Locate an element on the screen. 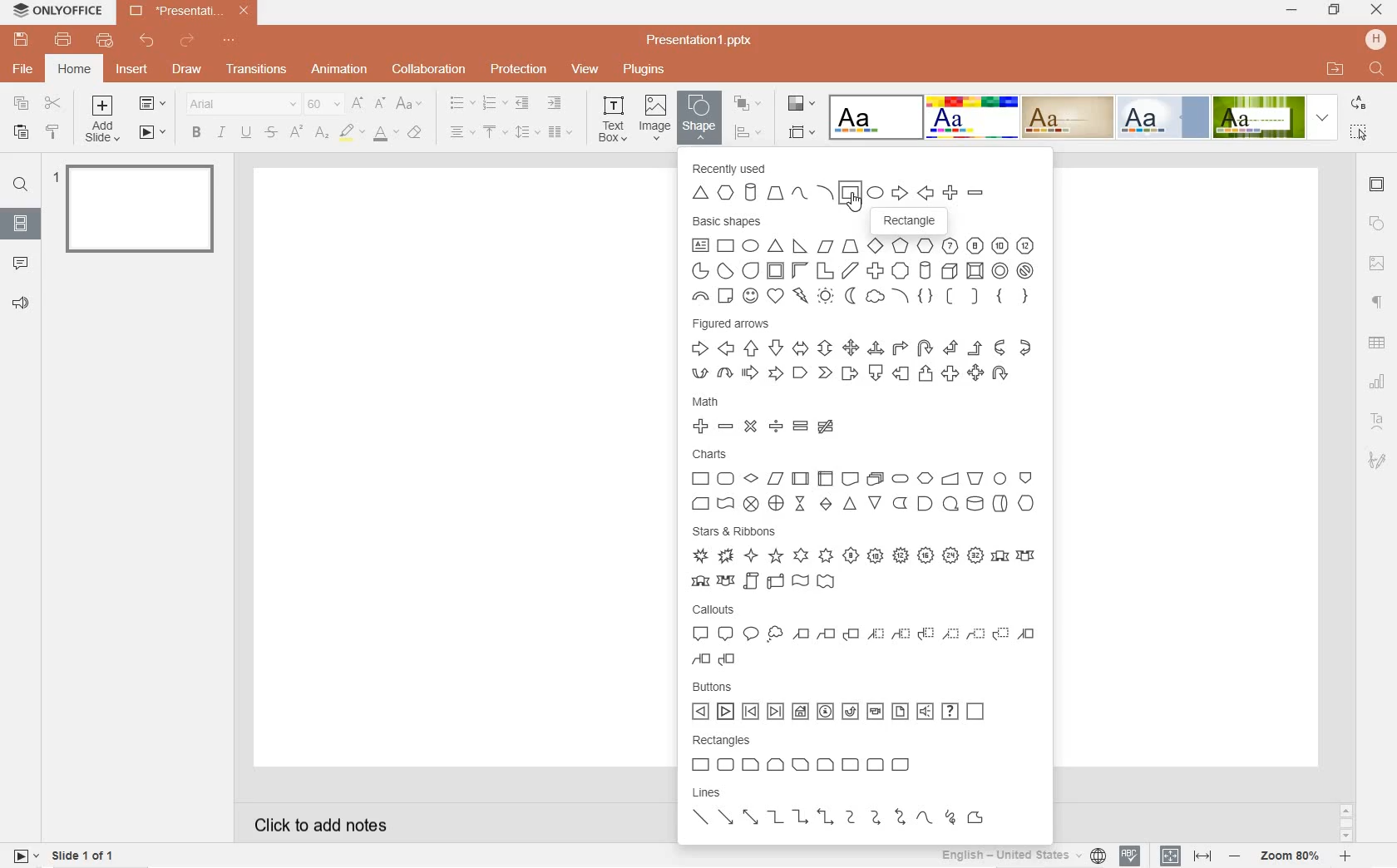  RESTORE is located at coordinates (1330, 10).